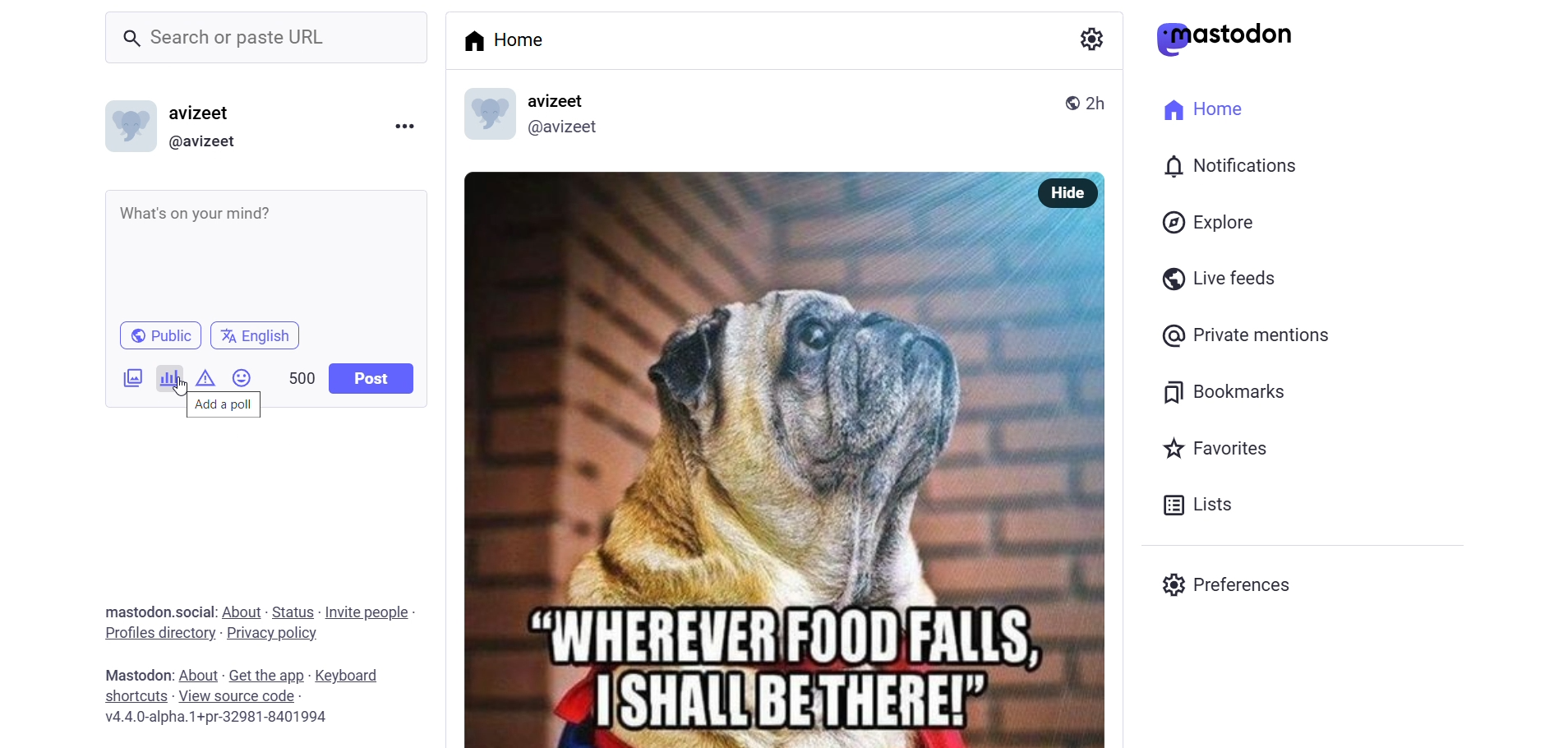 This screenshot has height=748, width=1568. I want to click on mastodon, so click(1225, 39).